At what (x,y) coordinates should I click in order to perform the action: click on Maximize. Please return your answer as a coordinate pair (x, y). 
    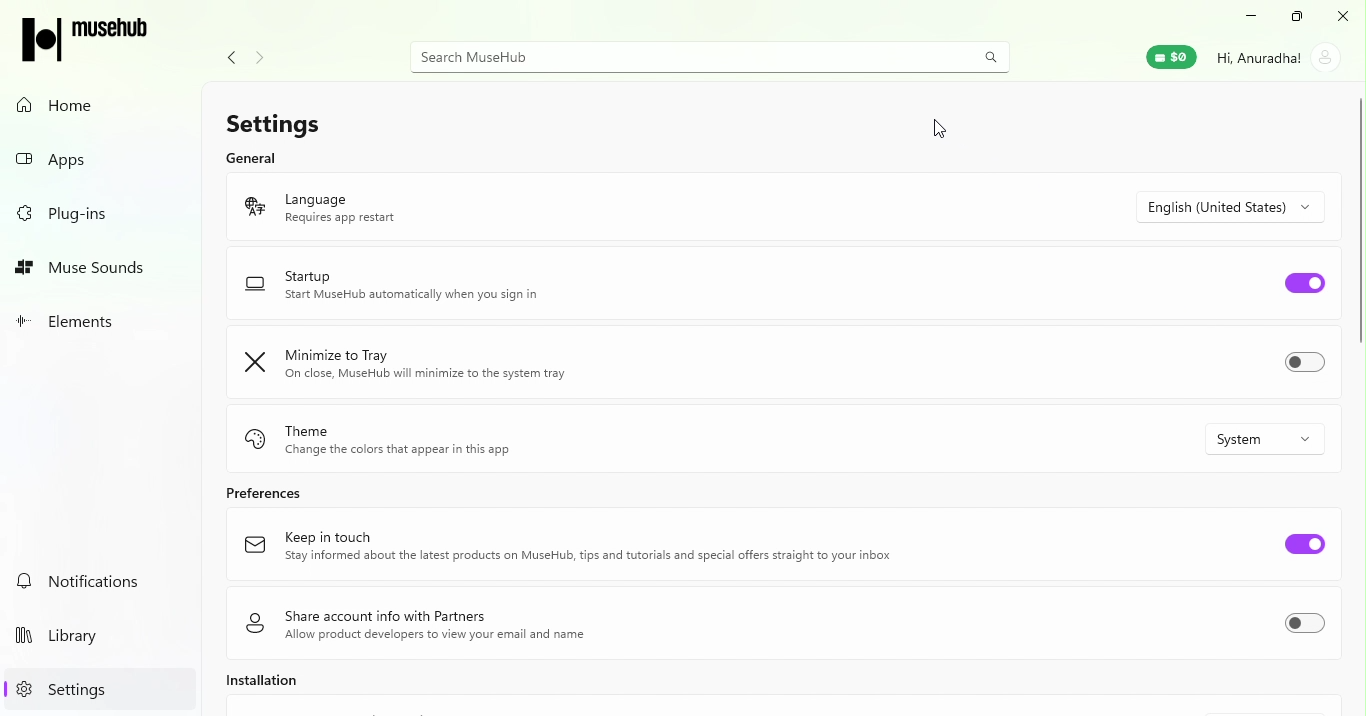
    Looking at the image, I should click on (1295, 17).